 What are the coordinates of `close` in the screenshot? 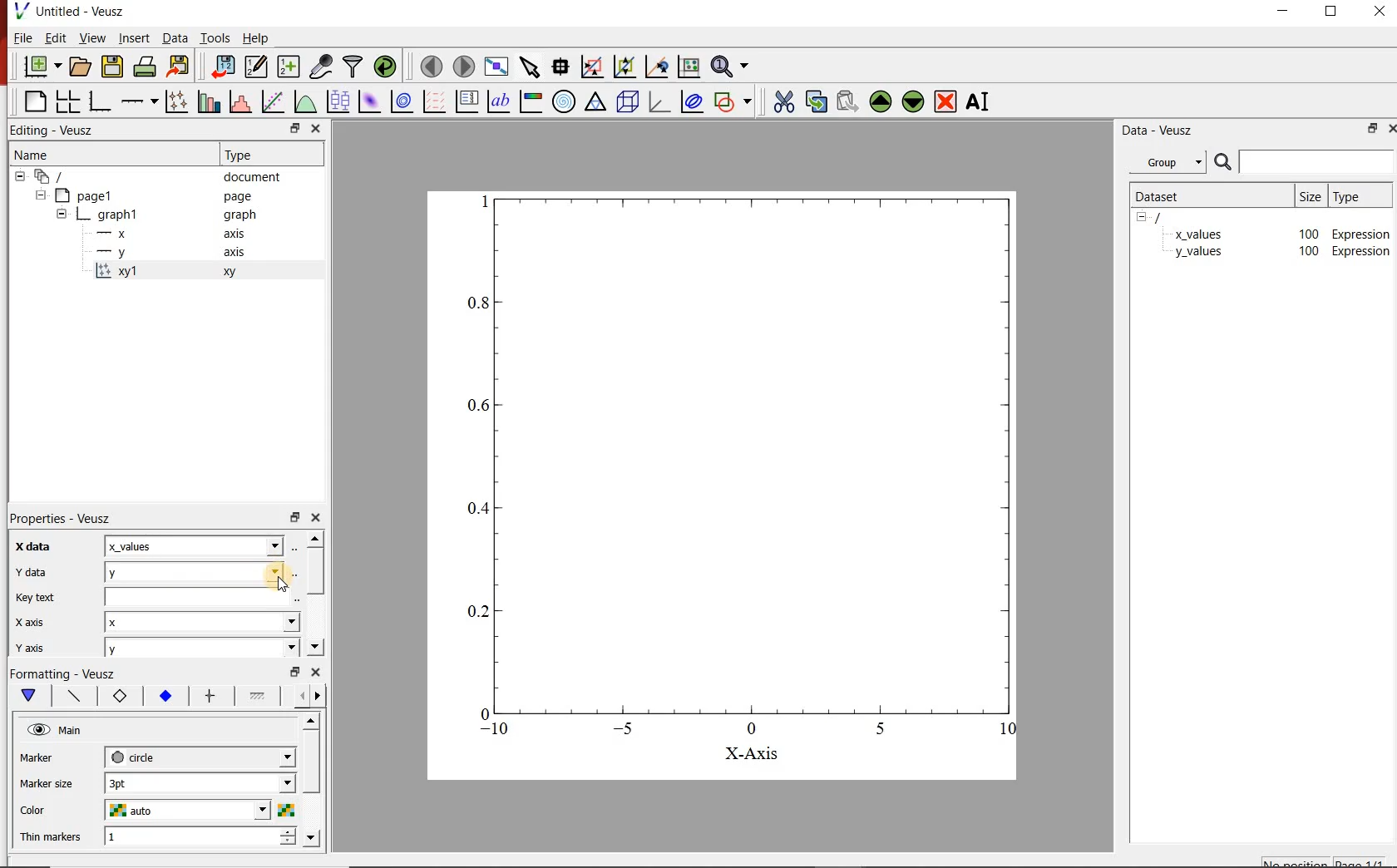 It's located at (318, 517).